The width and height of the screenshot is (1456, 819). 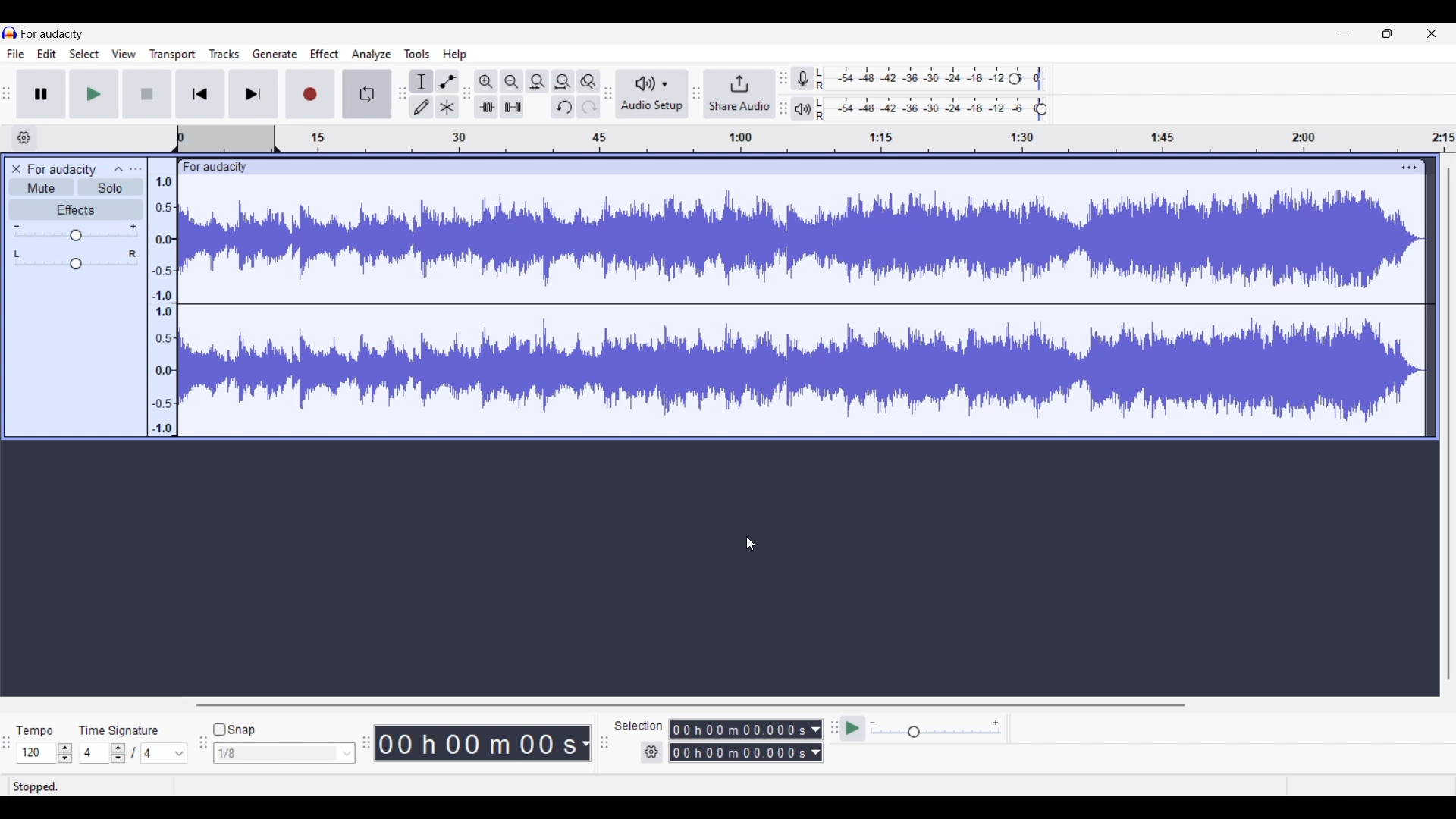 What do you see at coordinates (1343, 33) in the screenshot?
I see `Minimize` at bounding box center [1343, 33].